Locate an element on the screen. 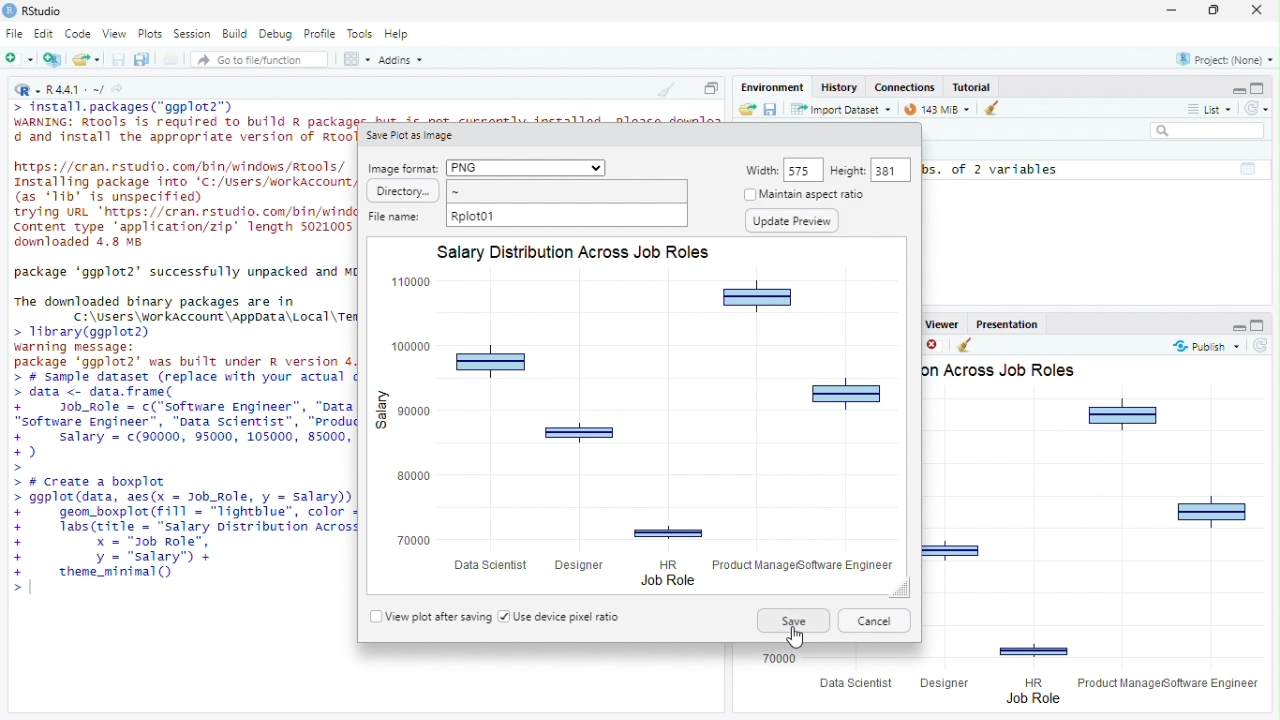  Maximize is located at coordinates (1210, 11).